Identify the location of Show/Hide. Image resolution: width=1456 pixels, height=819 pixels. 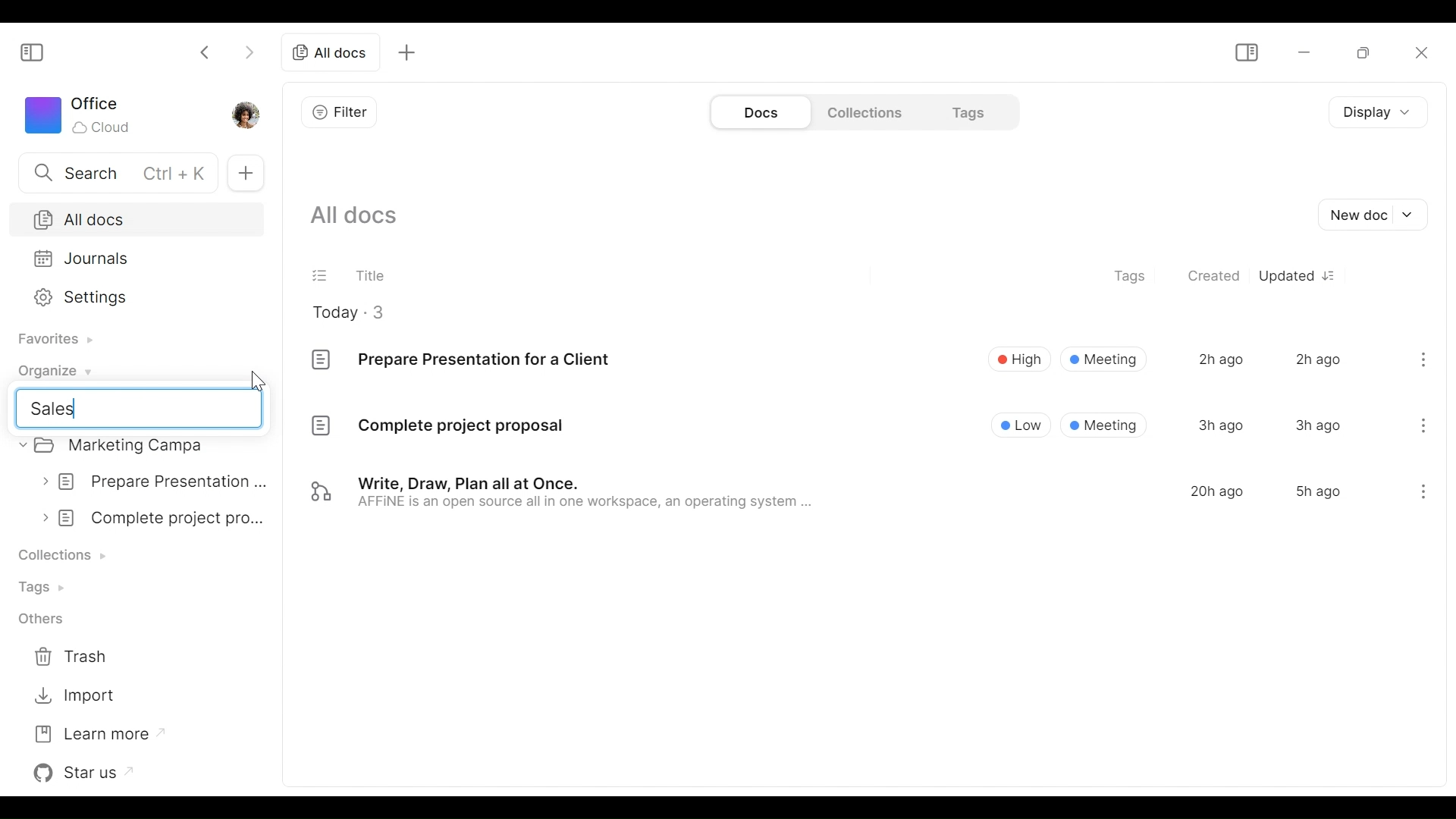
(1247, 50).